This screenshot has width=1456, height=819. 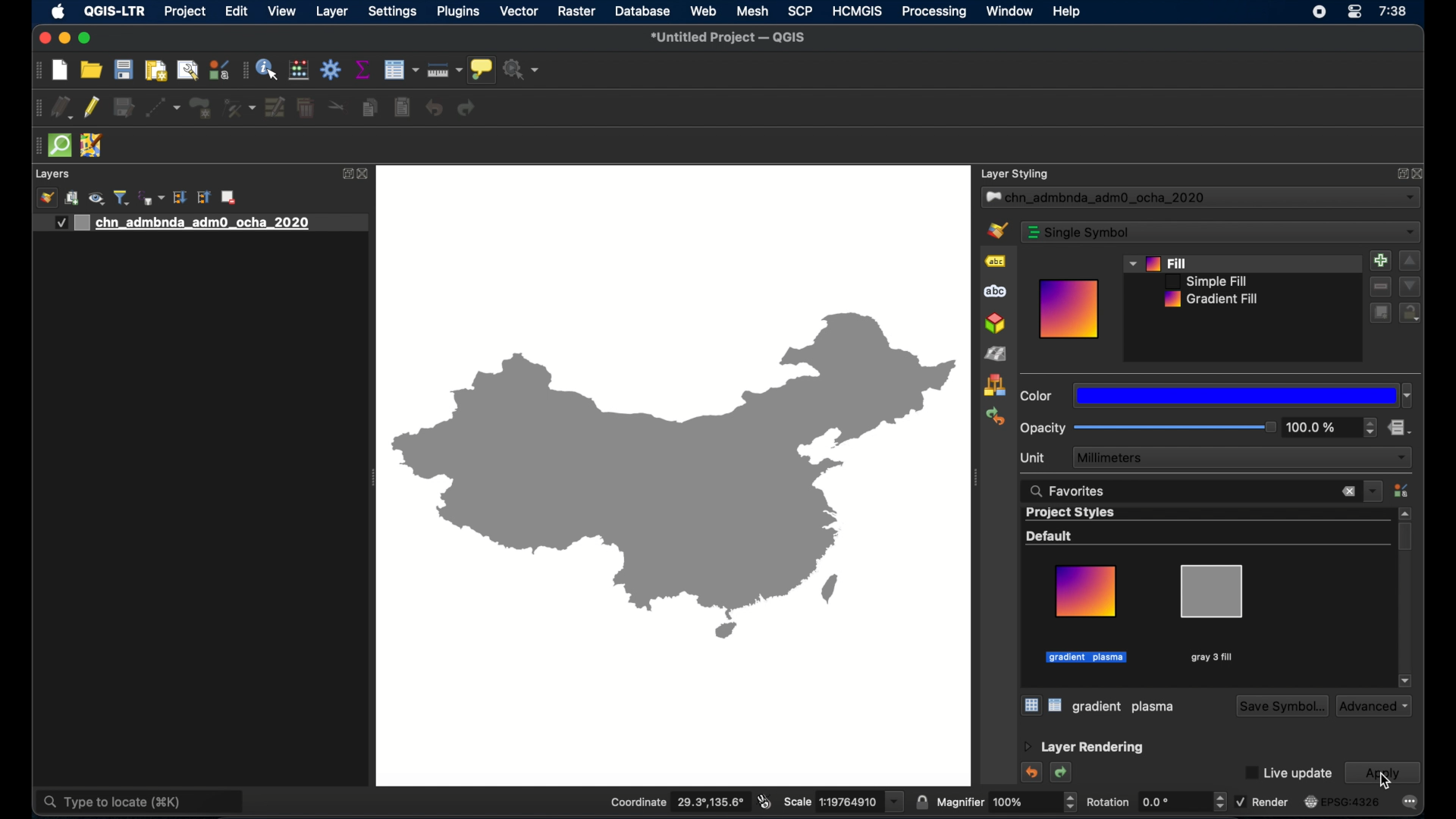 What do you see at coordinates (1314, 427) in the screenshot?
I see `opacity level` at bounding box center [1314, 427].